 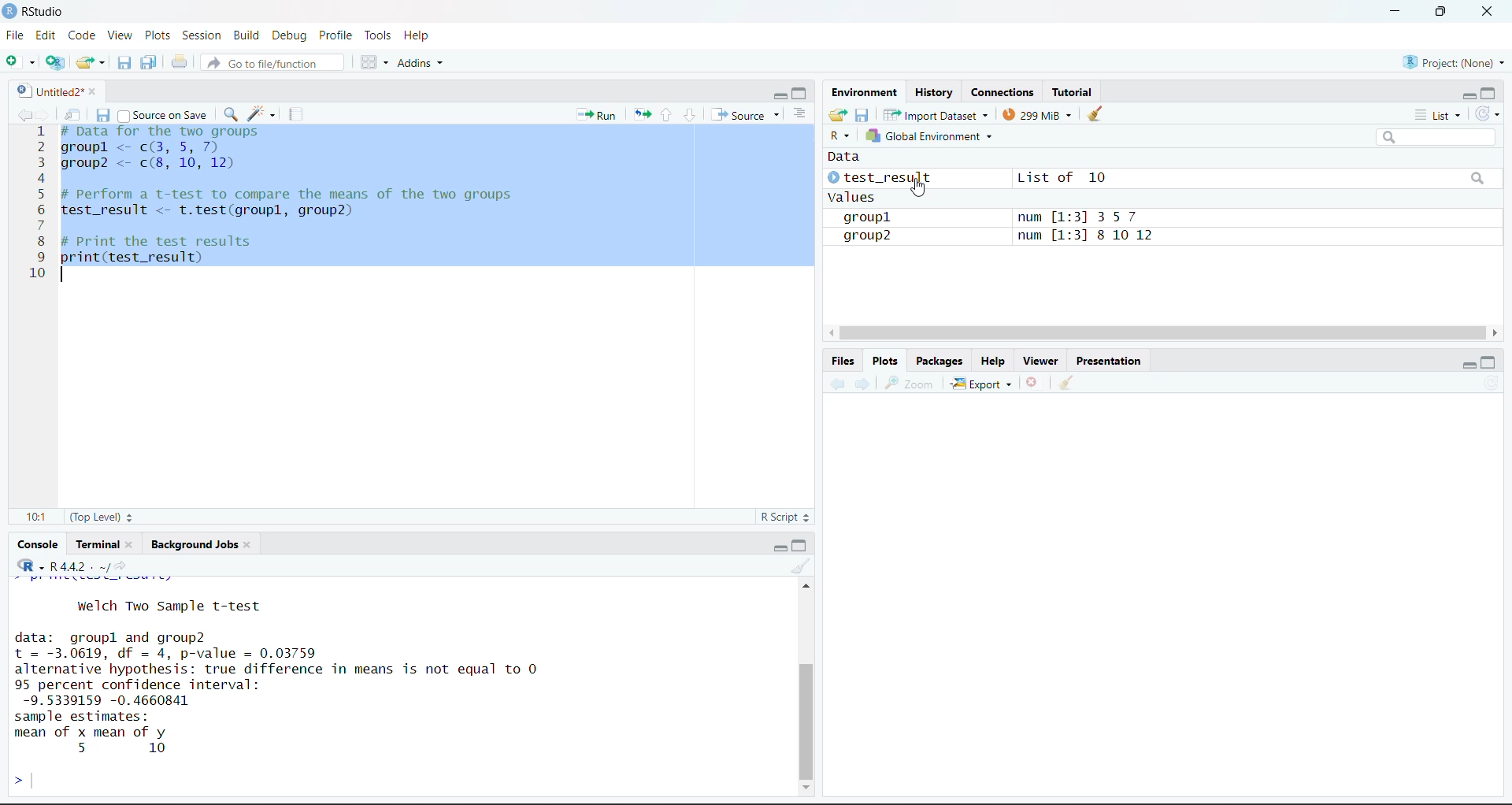 I want to click on source, so click(x=747, y=115).